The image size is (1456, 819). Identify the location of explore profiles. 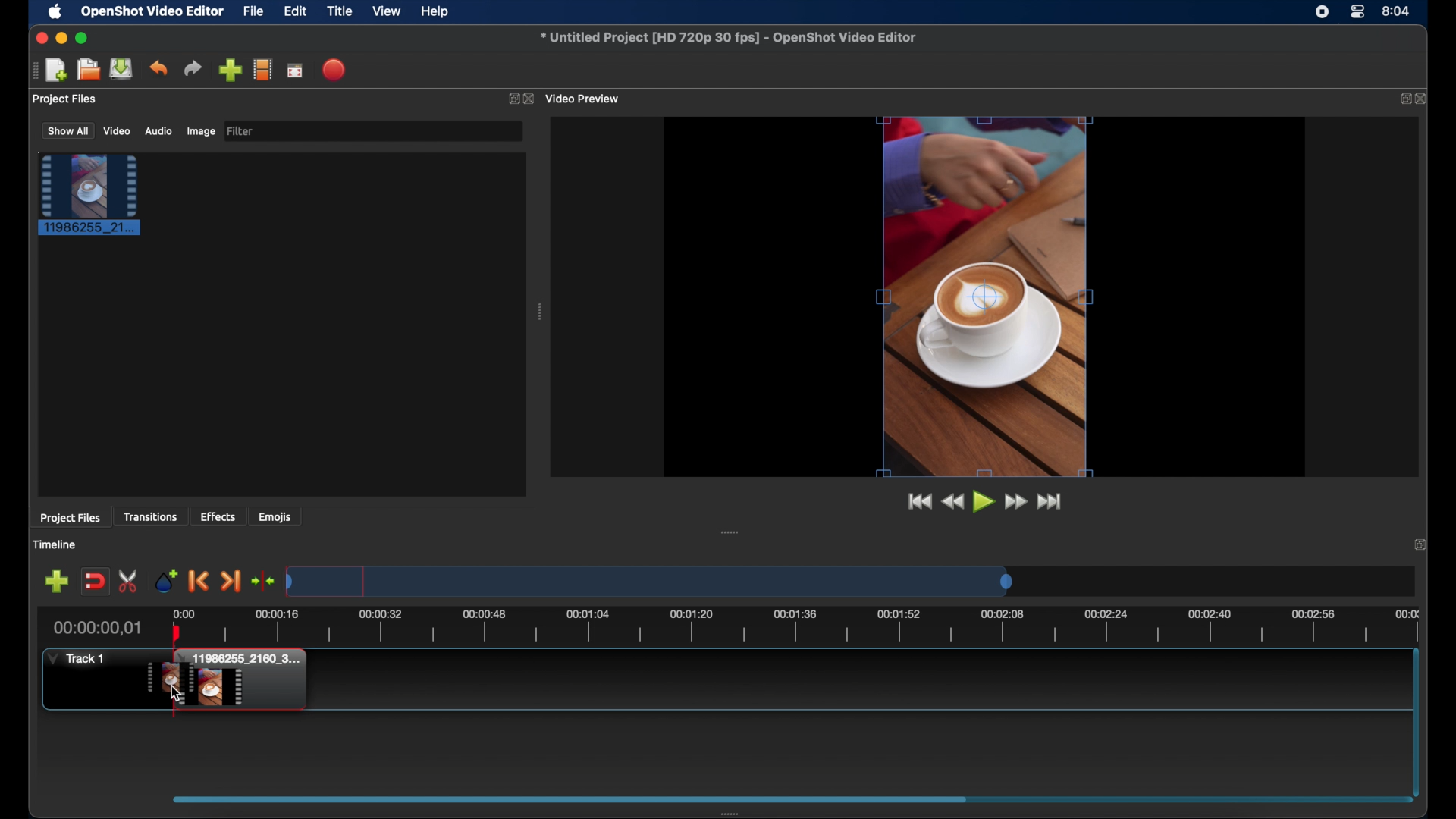
(262, 71).